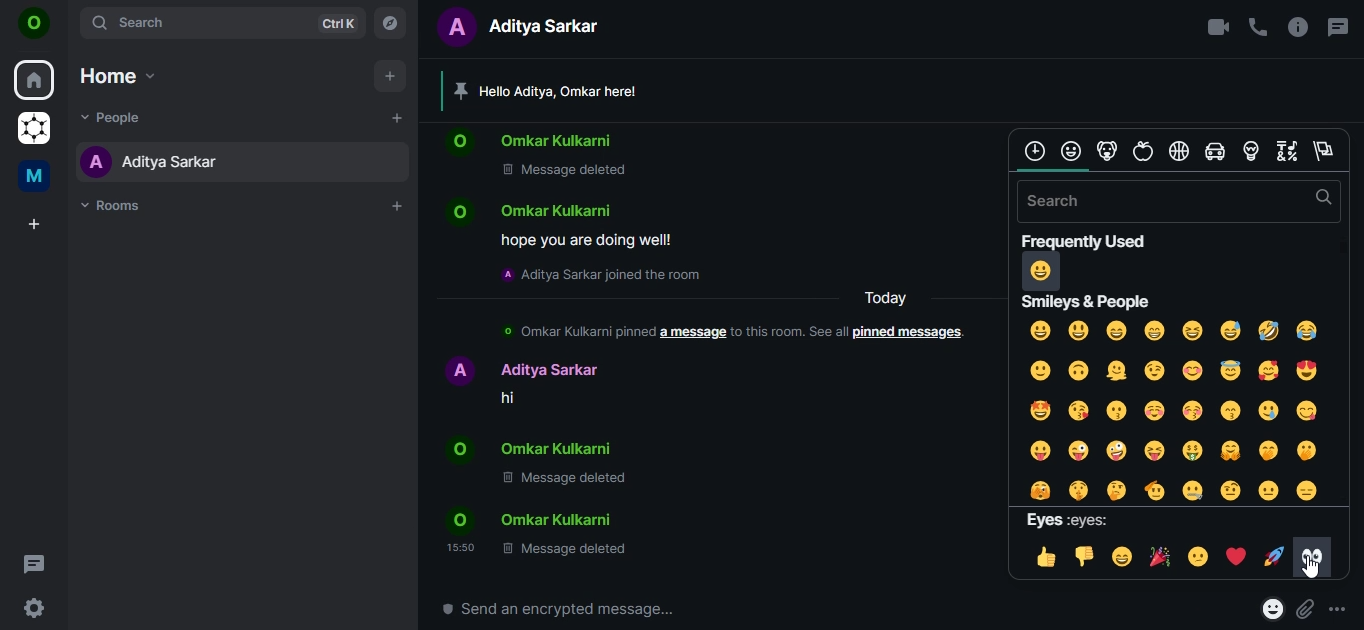 The width and height of the screenshot is (1364, 630). What do you see at coordinates (576, 610) in the screenshot?
I see `send an encrypted message` at bounding box center [576, 610].